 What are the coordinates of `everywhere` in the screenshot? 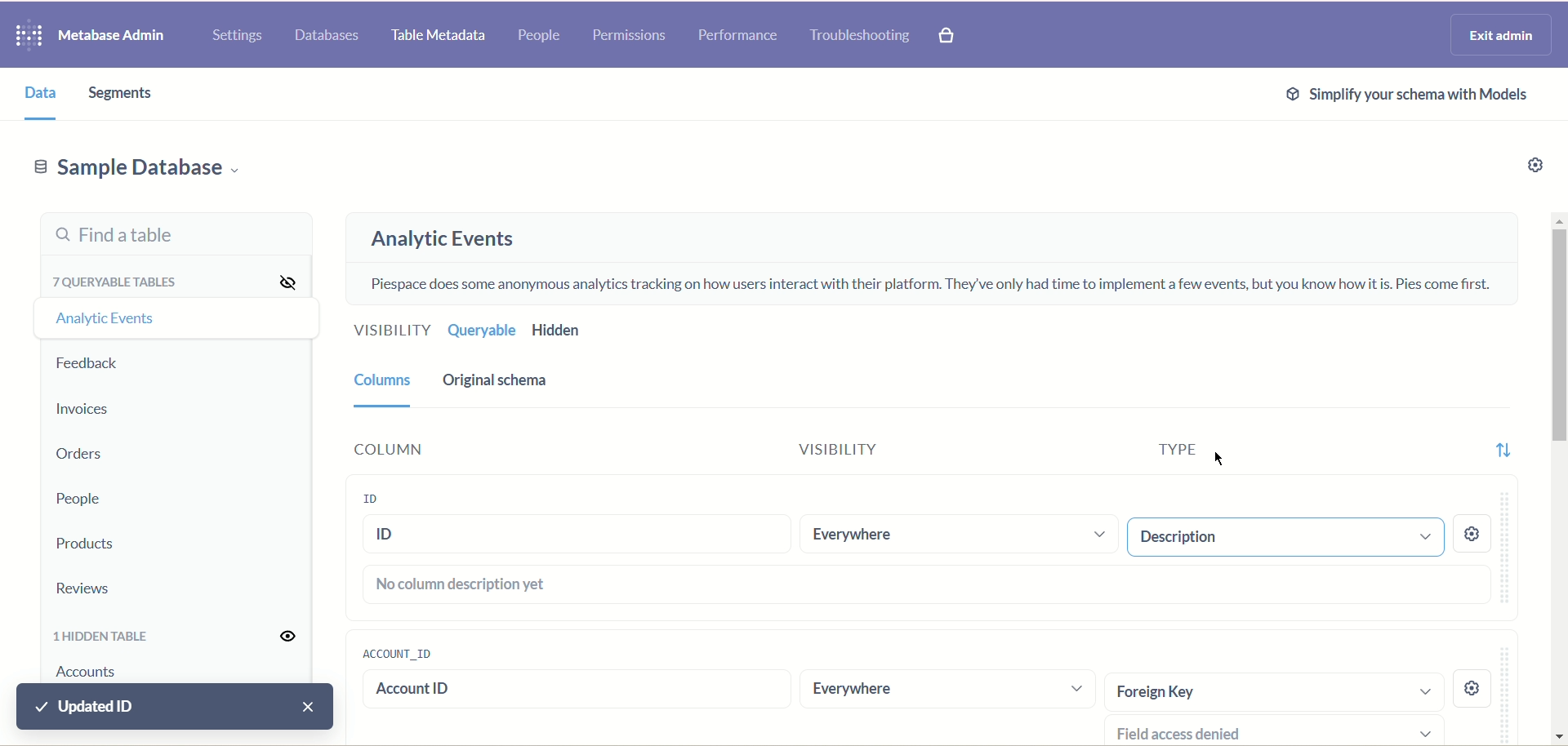 It's located at (948, 693).